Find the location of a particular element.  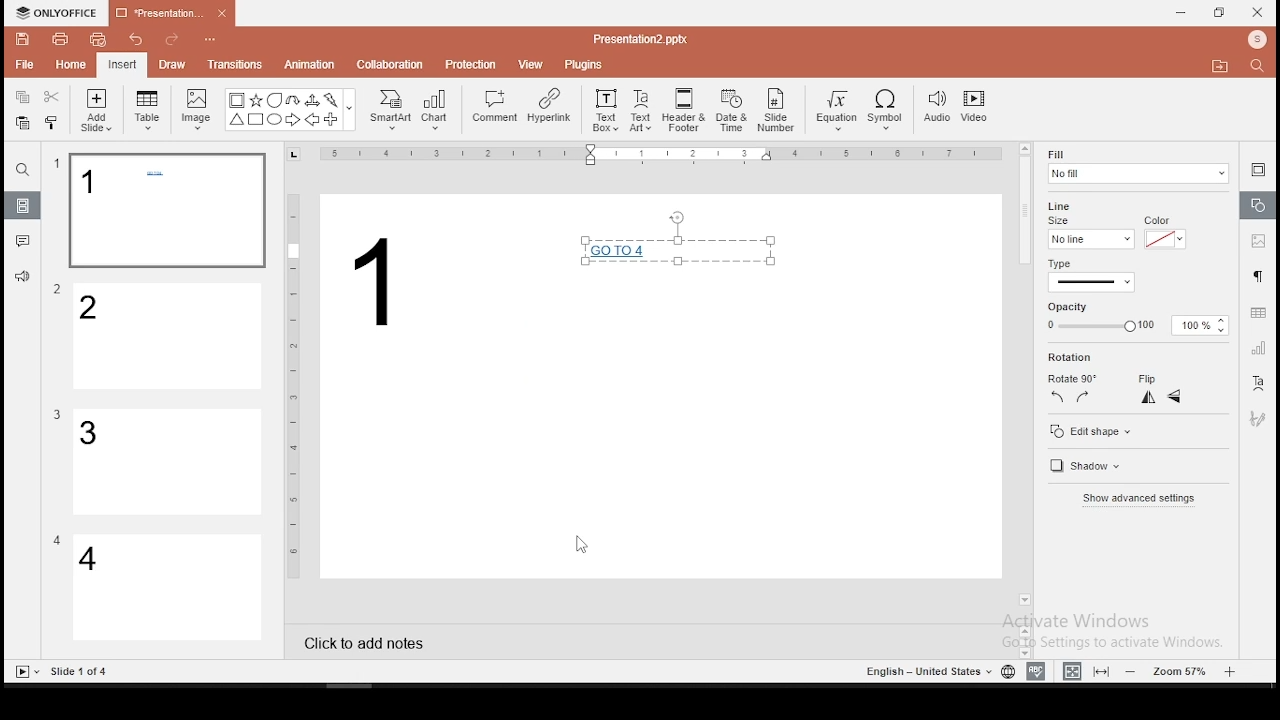

table settings is located at coordinates (1256, 313).